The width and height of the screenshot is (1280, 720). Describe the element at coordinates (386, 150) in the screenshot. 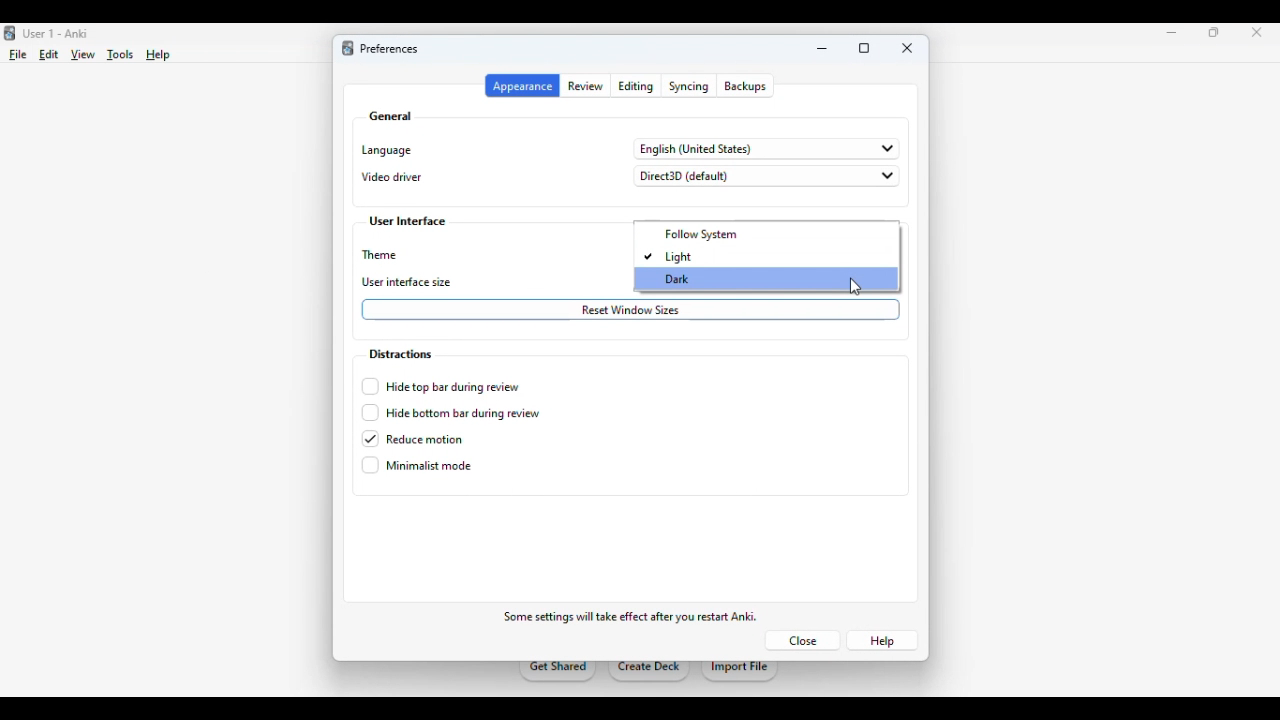

I see `language` at that location.